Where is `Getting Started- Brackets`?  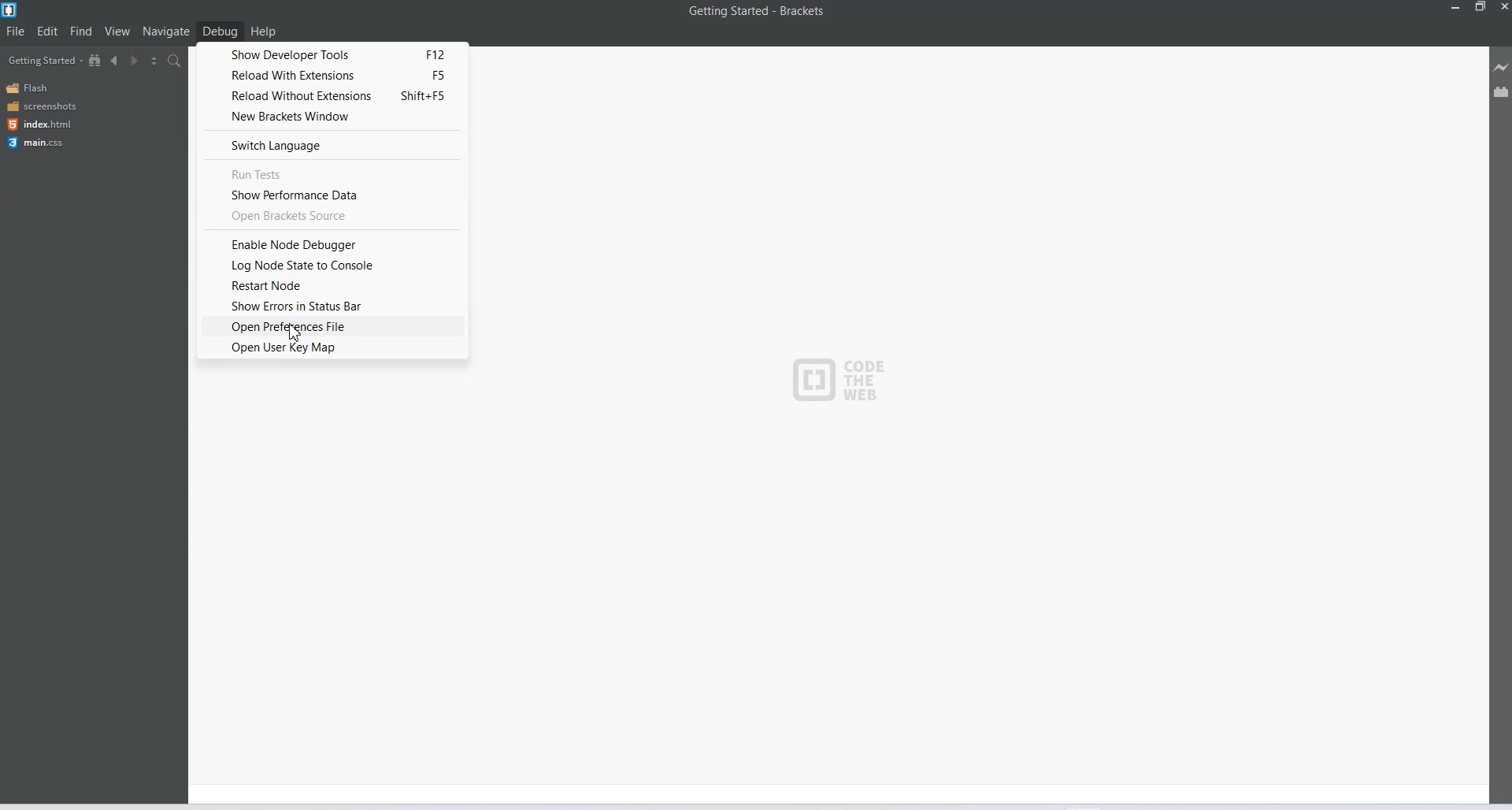
Getting Started- Brackets is located at coordinates (757, 10).